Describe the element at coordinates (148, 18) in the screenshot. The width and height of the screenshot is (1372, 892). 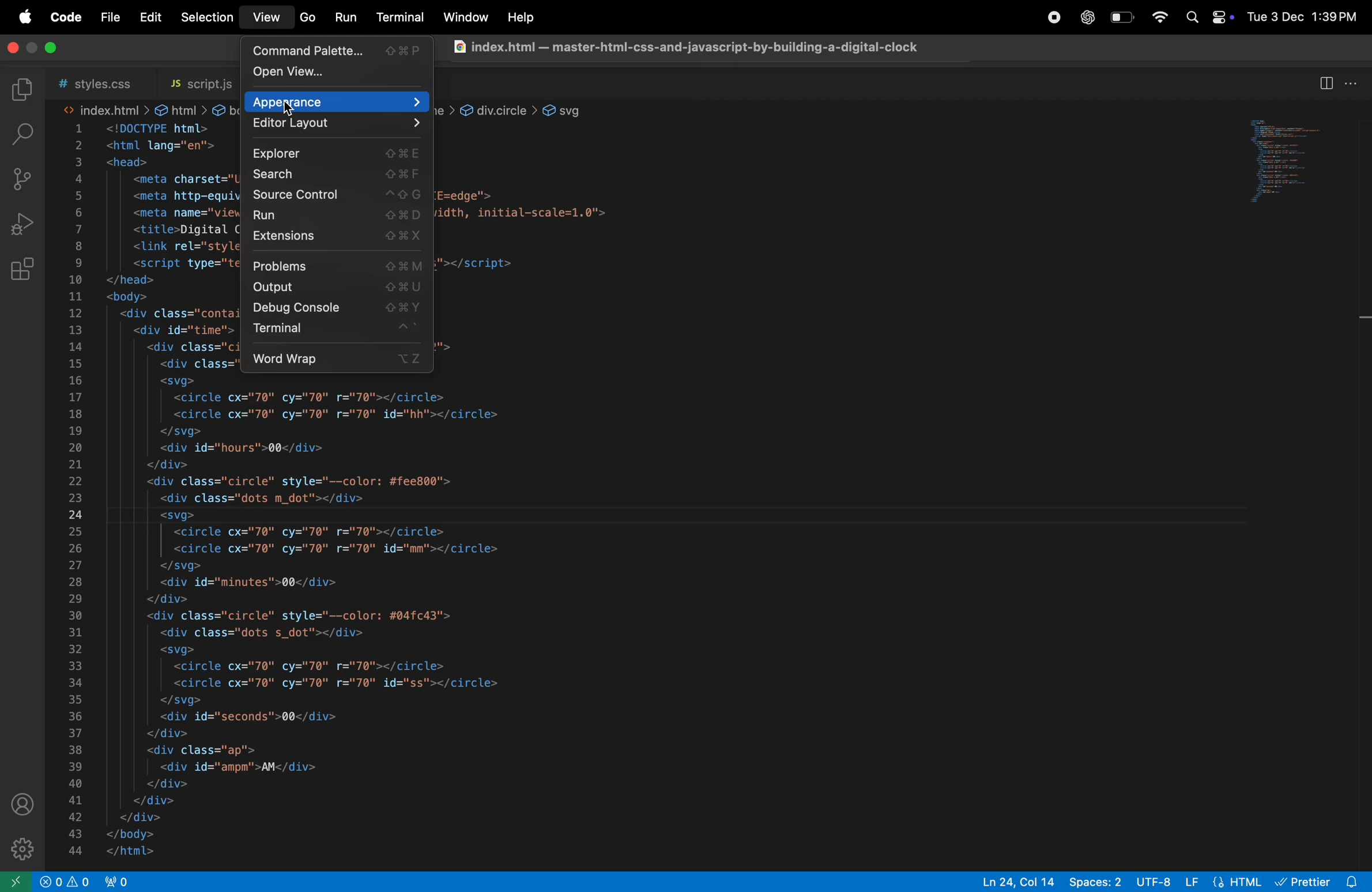
I see `edit` at that location.